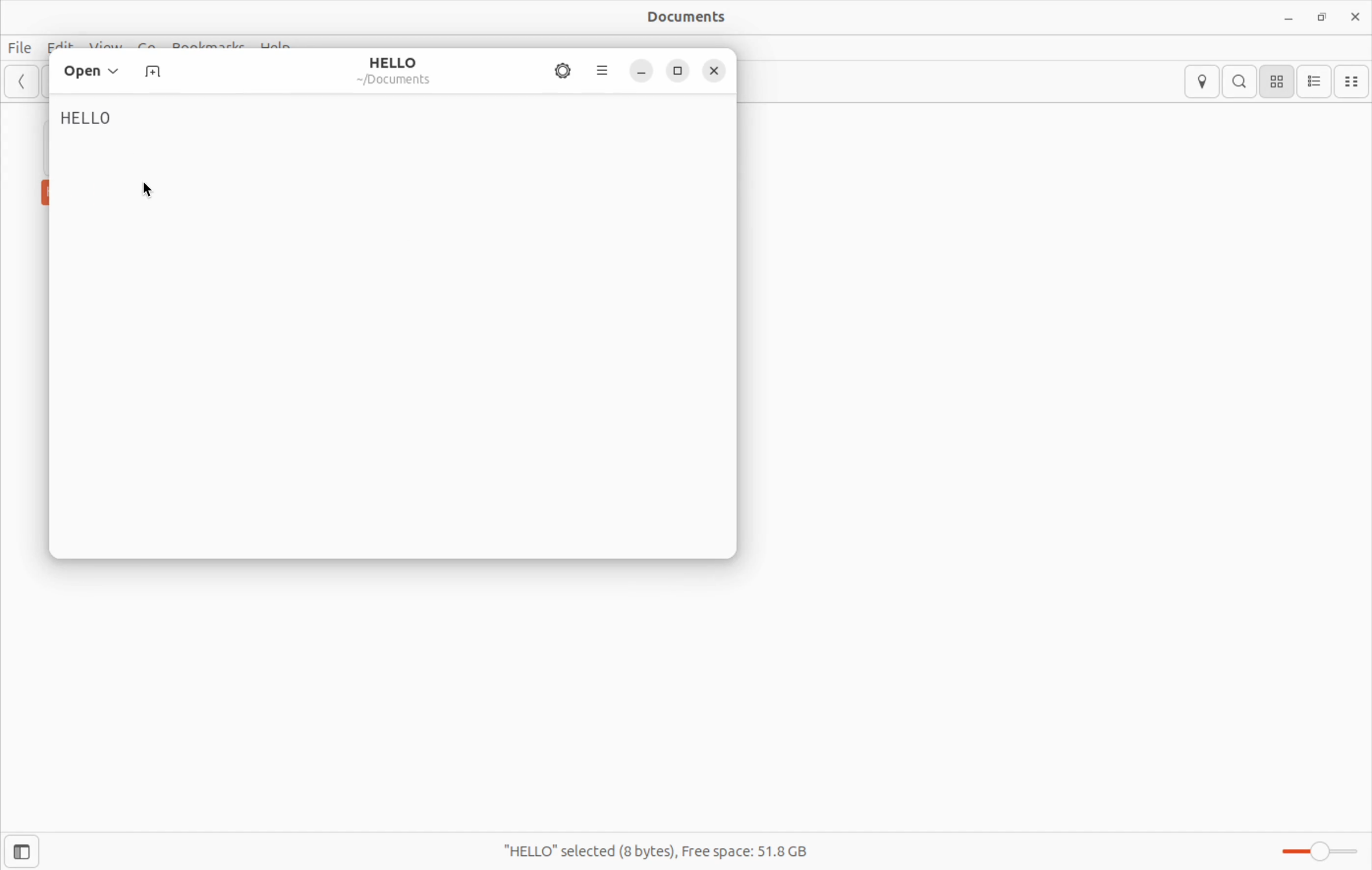 Image resolution: width=1372 pixels, height=870 pixels. Describe the element at coordinates (602, 68) in the screenshot. I see `options` at that location.